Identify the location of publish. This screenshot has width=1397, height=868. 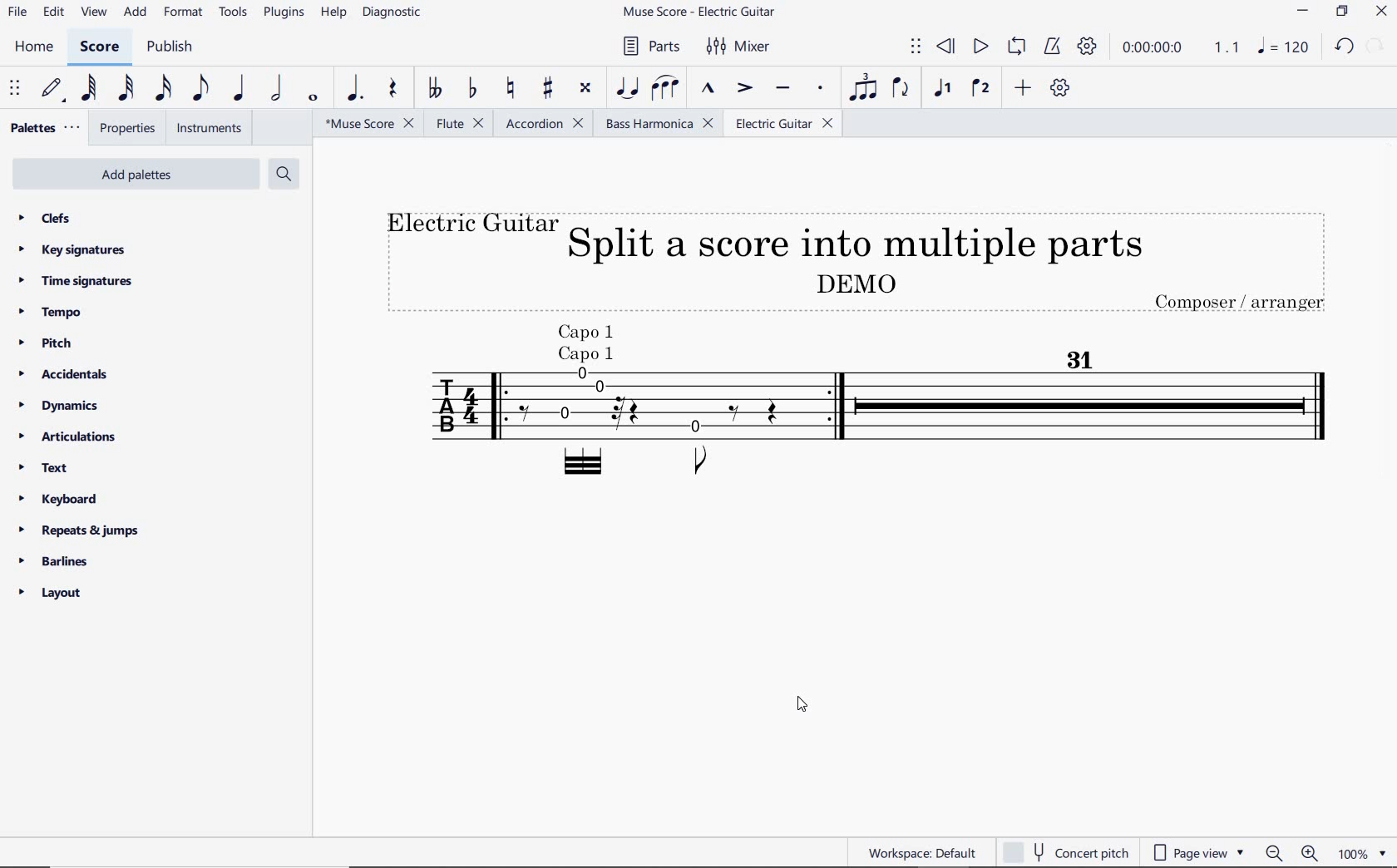
(176, 47).